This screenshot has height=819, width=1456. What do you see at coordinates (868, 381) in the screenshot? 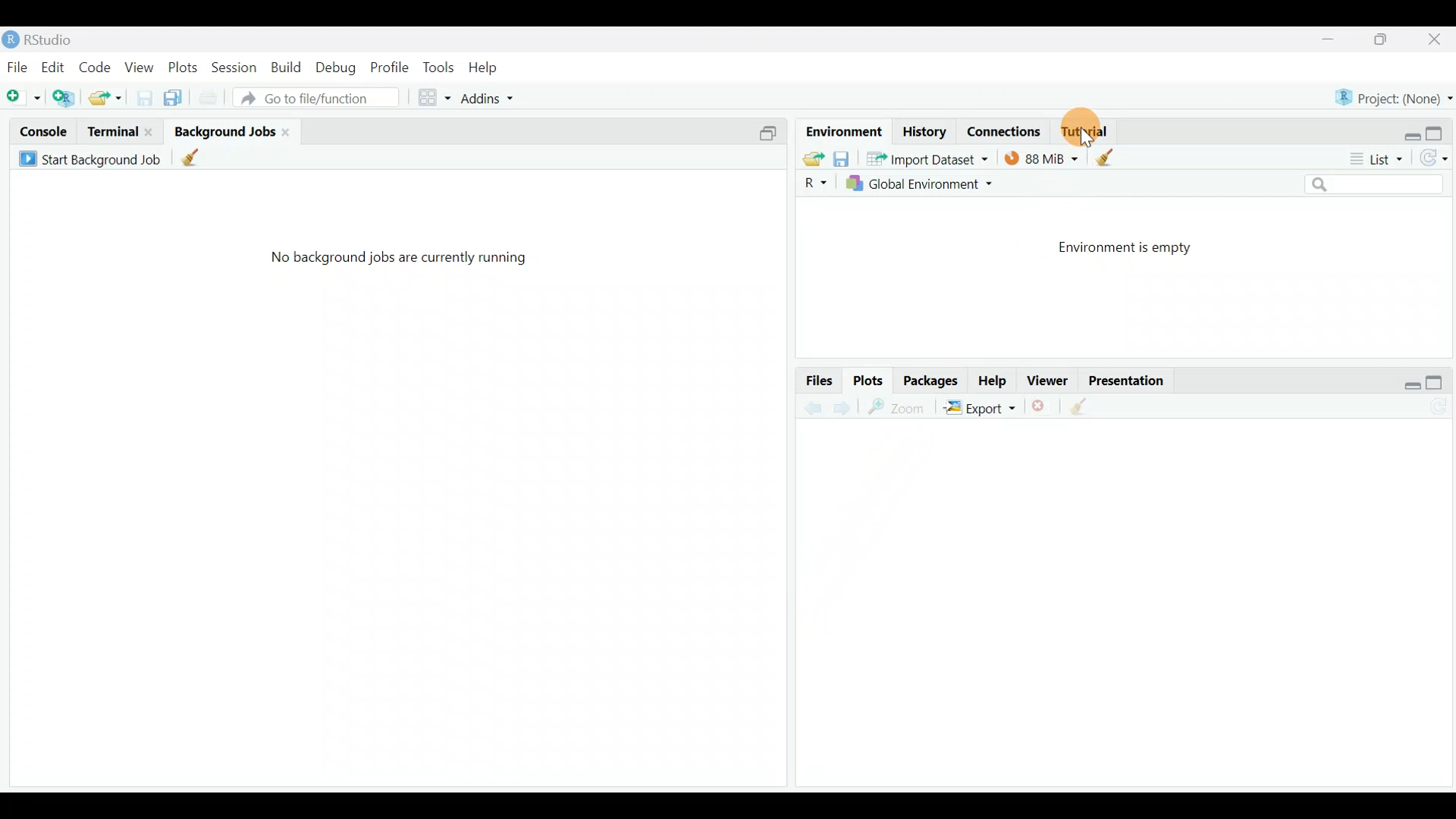
I see `Plots` at bounding box center [868, 381].